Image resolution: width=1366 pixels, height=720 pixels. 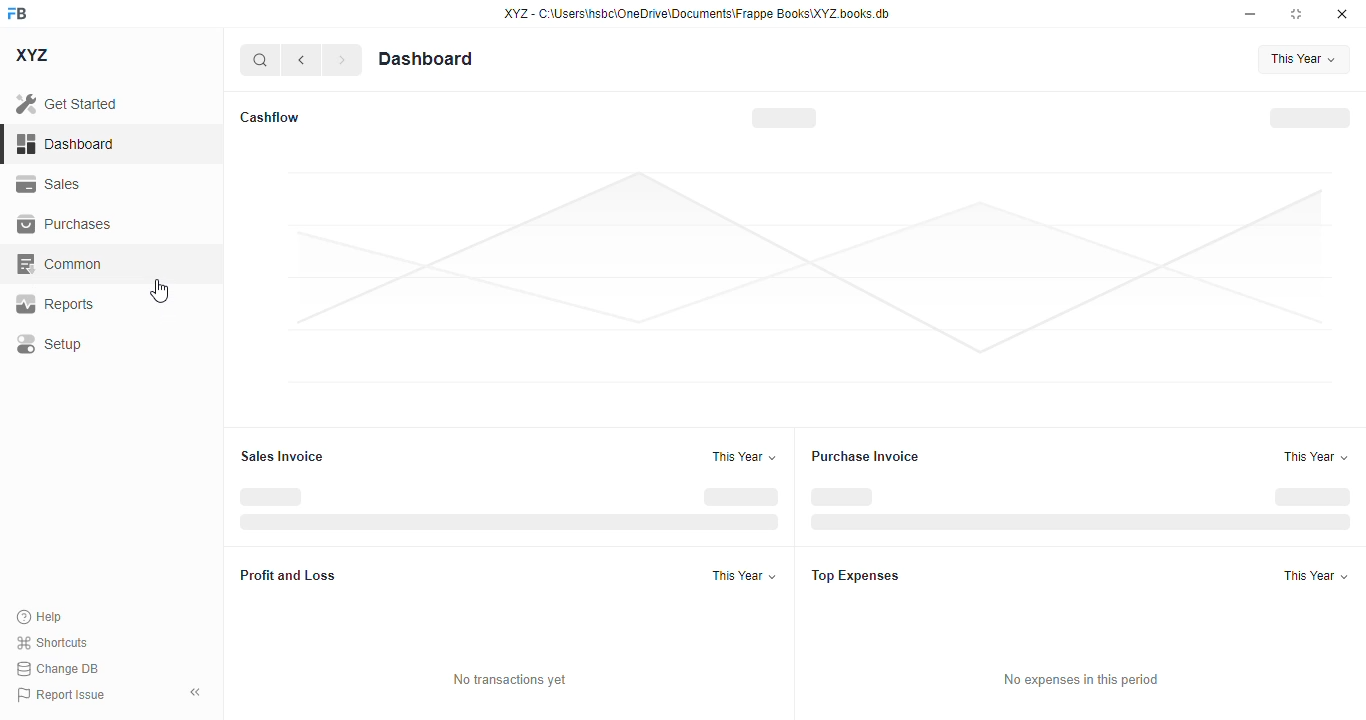 What do you see at coordinates (33, 55) in the screenshot?
I see `XYZ` at bounding box center [33, 55].